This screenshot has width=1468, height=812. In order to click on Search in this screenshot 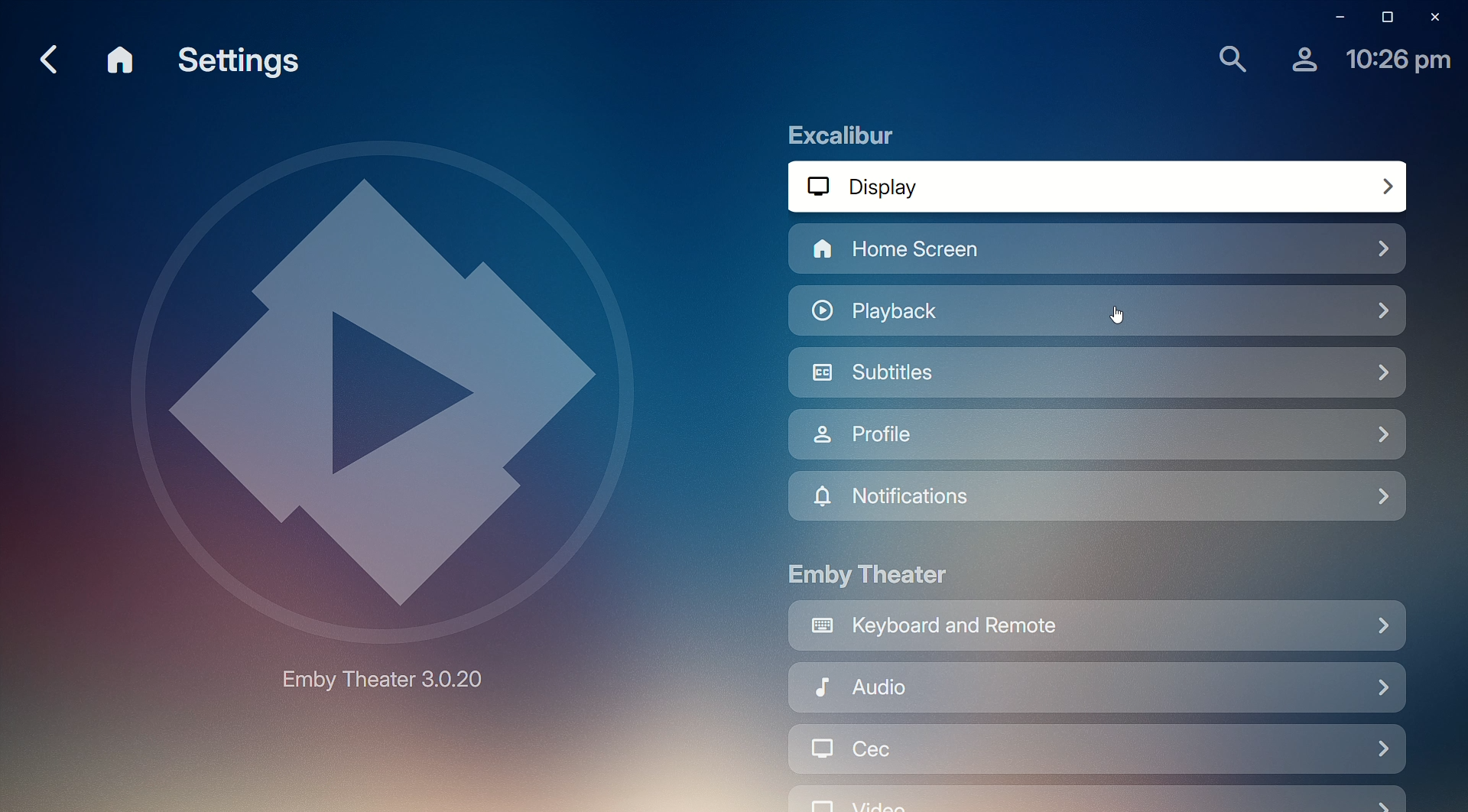, I will do `click(1230, 60)`.